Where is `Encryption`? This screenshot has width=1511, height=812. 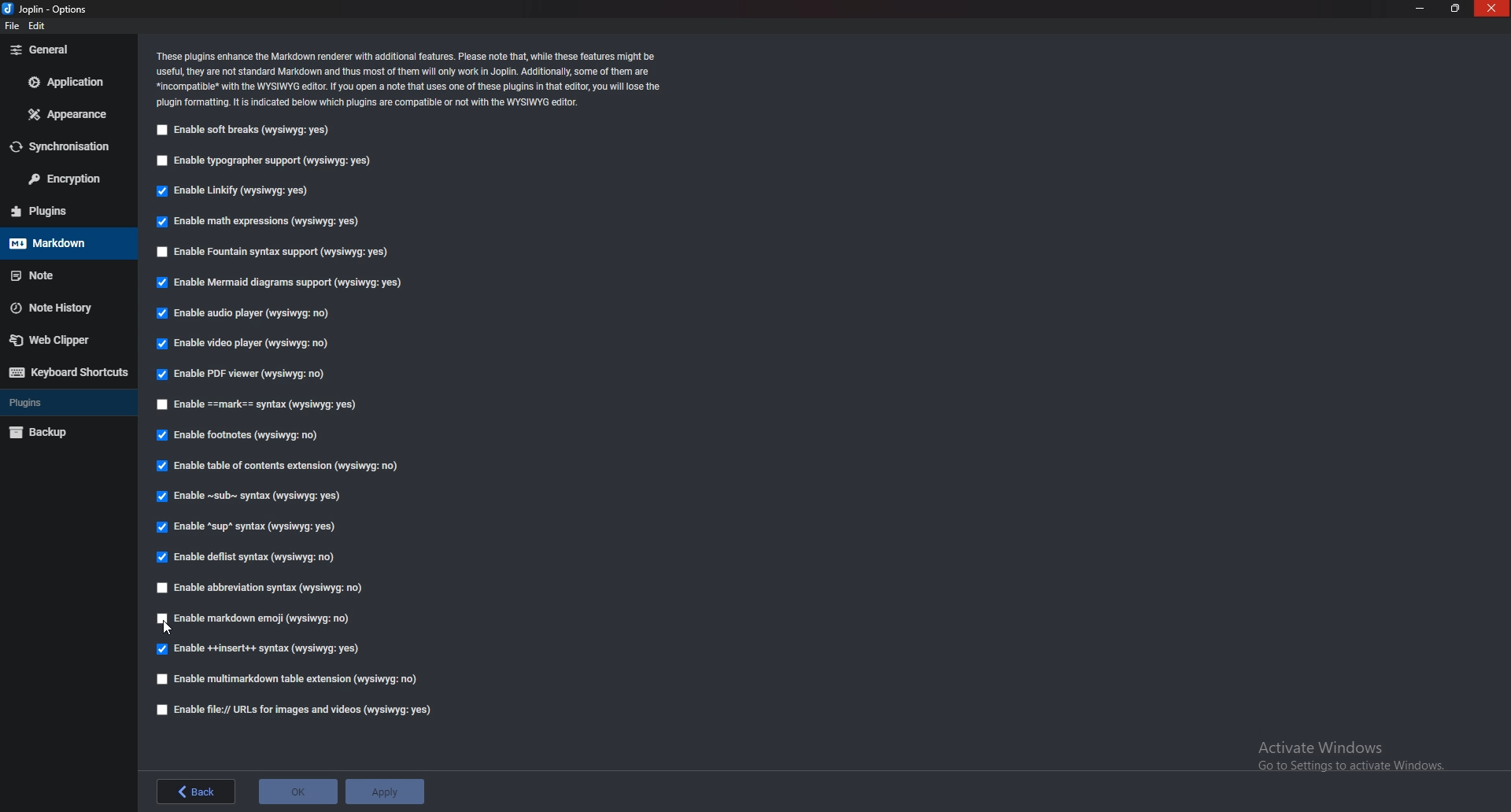
Encryption is located at coordinates (63, 180).